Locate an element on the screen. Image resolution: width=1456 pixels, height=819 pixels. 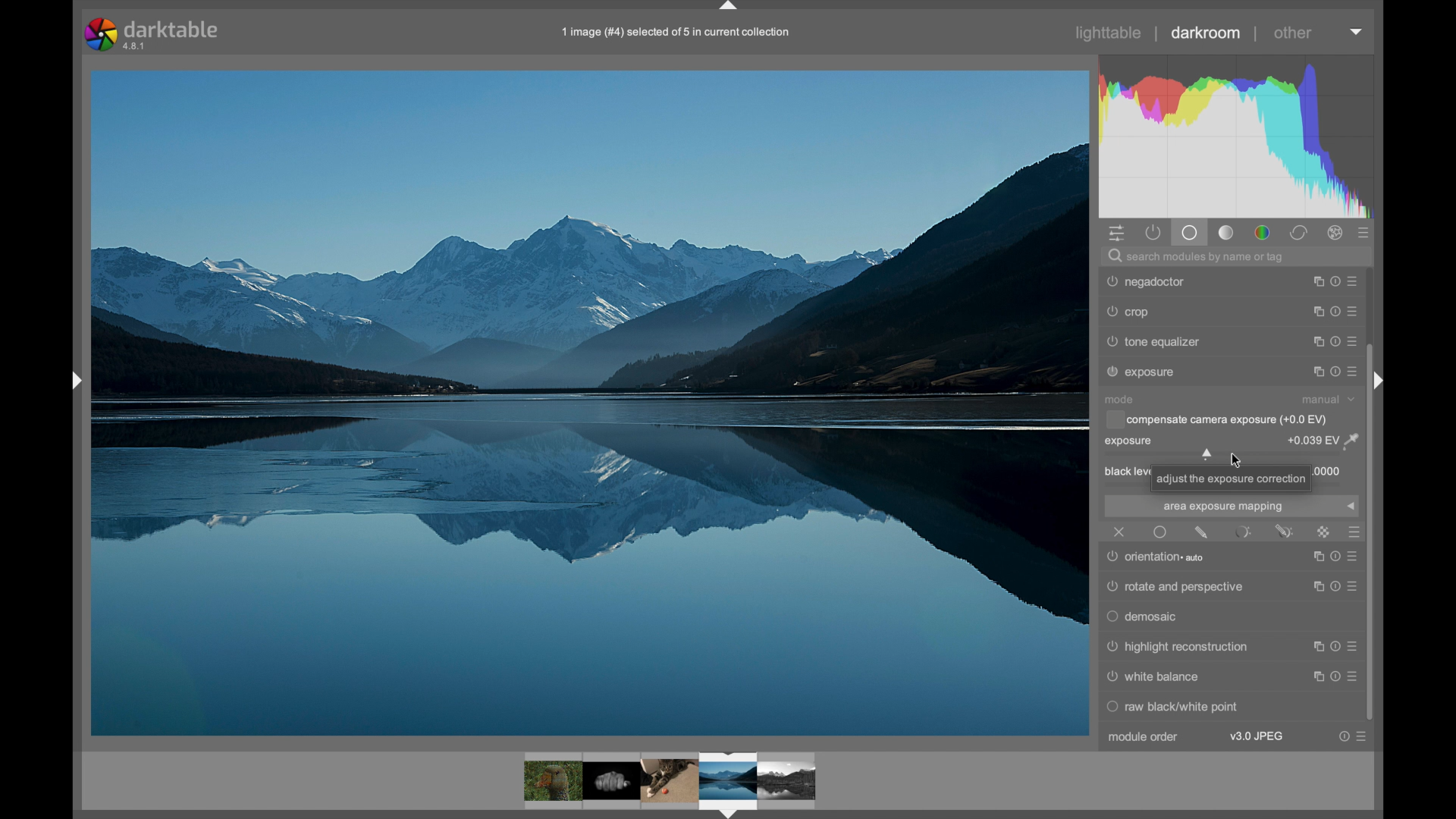
more options is located at coordinates (1336, 311).